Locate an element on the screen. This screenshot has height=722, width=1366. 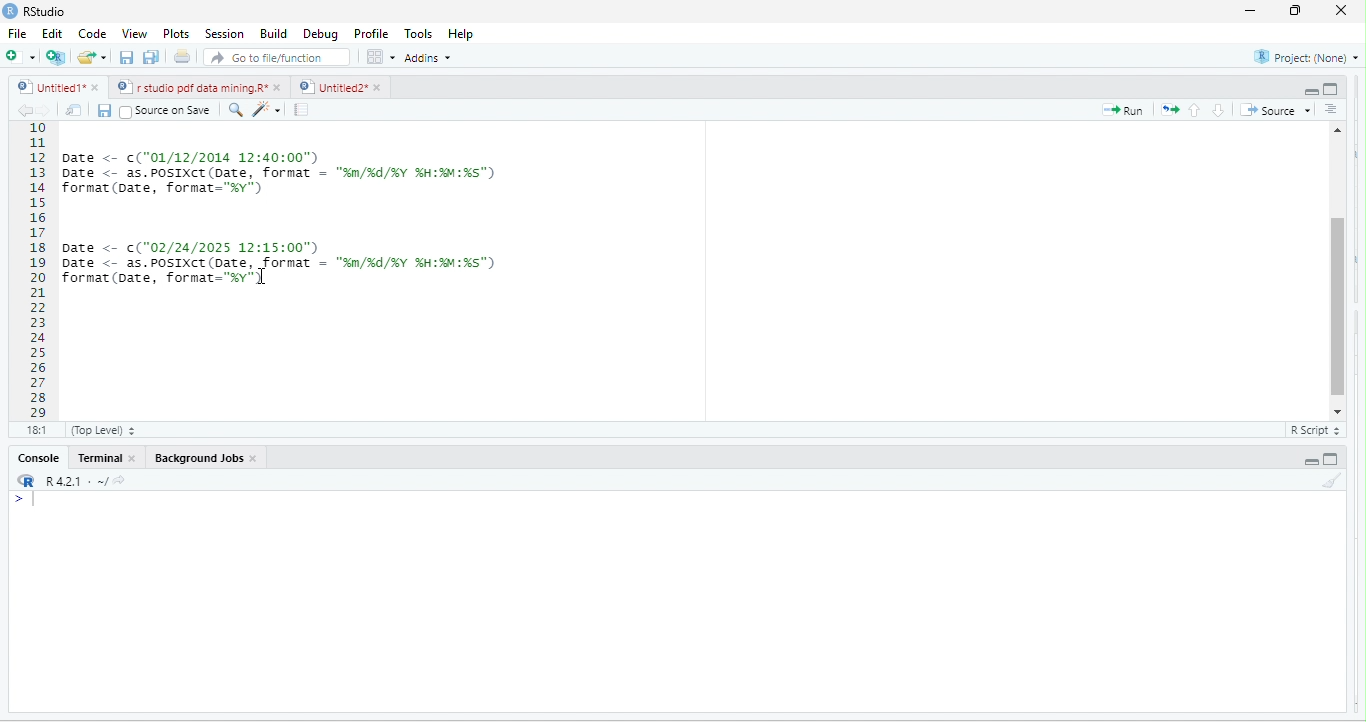
new file is located at coordinates (17, 56).